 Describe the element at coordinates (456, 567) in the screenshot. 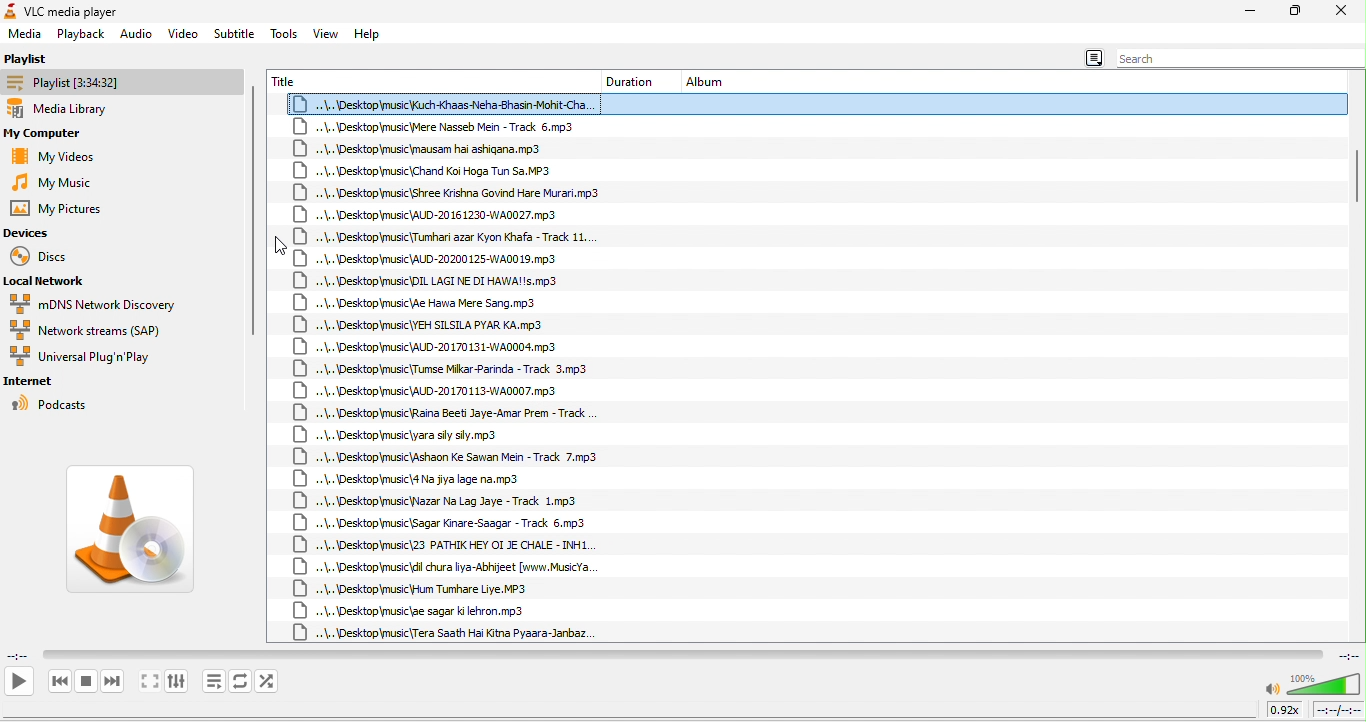

I see `..\..\Desktopmusic\dil chura liya-Abhijeet [www.MusicYa.` at that location.